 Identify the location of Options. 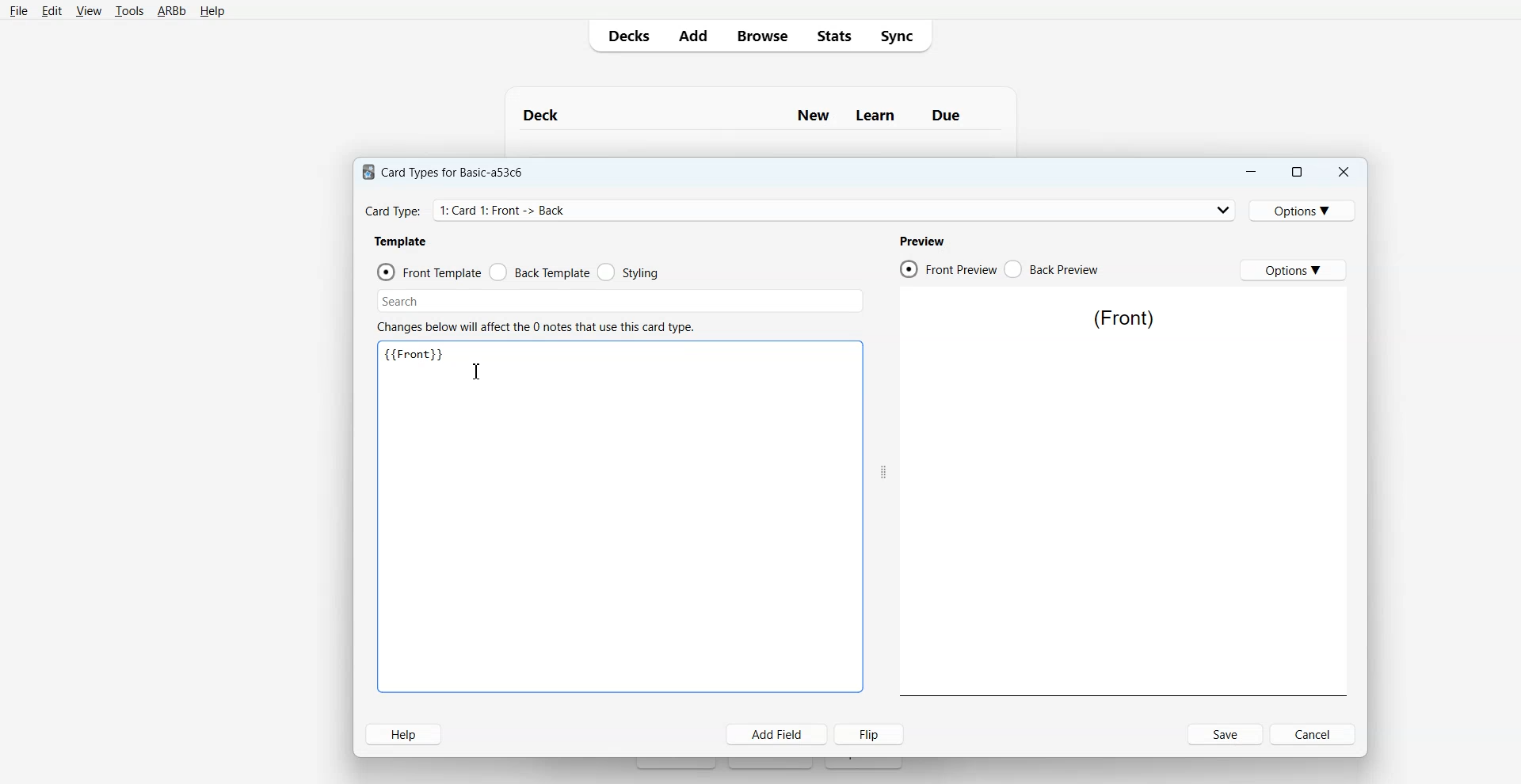
(1305, 210).